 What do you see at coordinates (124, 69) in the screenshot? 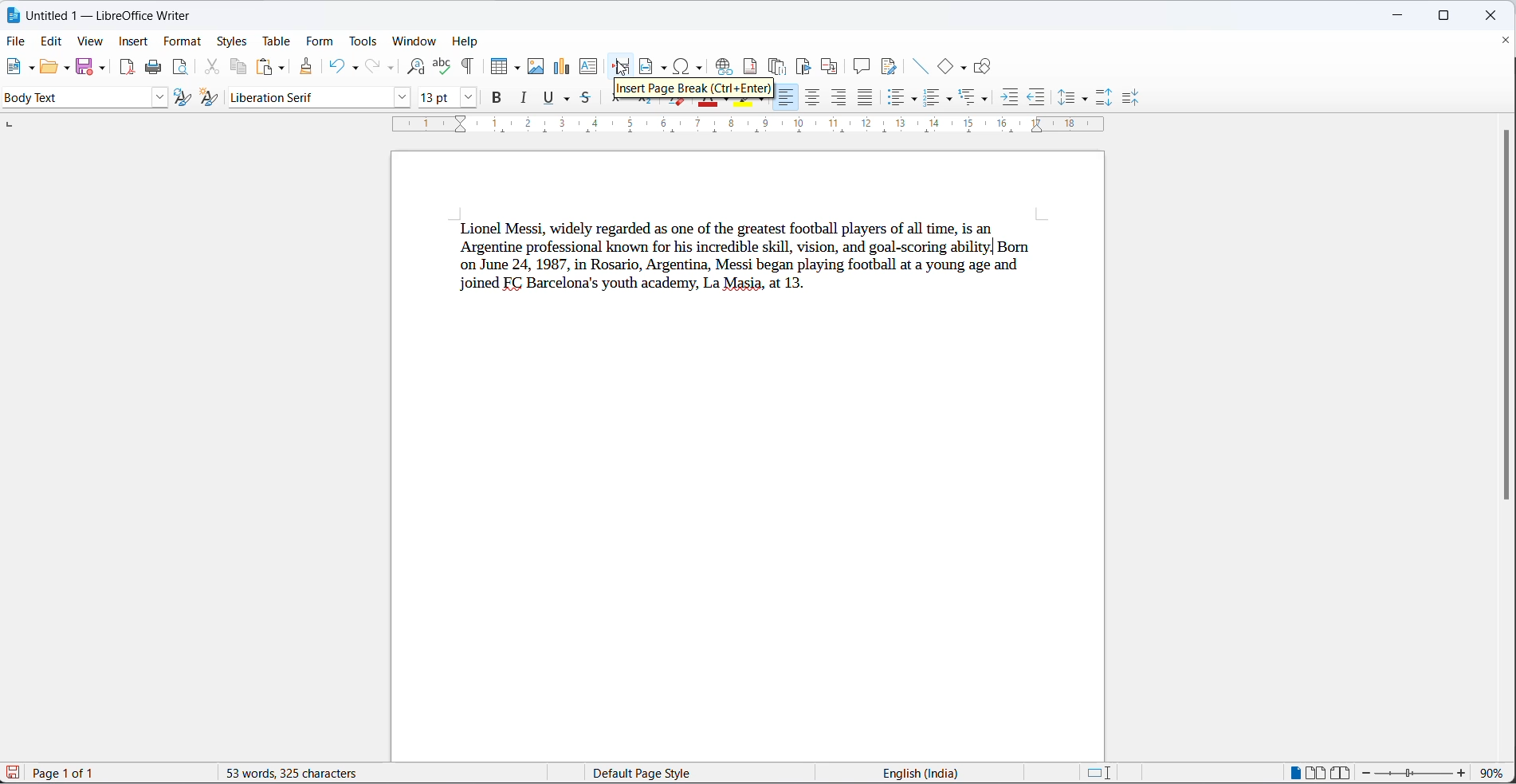
I see `export as pdf` at bounding box center [124, 69].